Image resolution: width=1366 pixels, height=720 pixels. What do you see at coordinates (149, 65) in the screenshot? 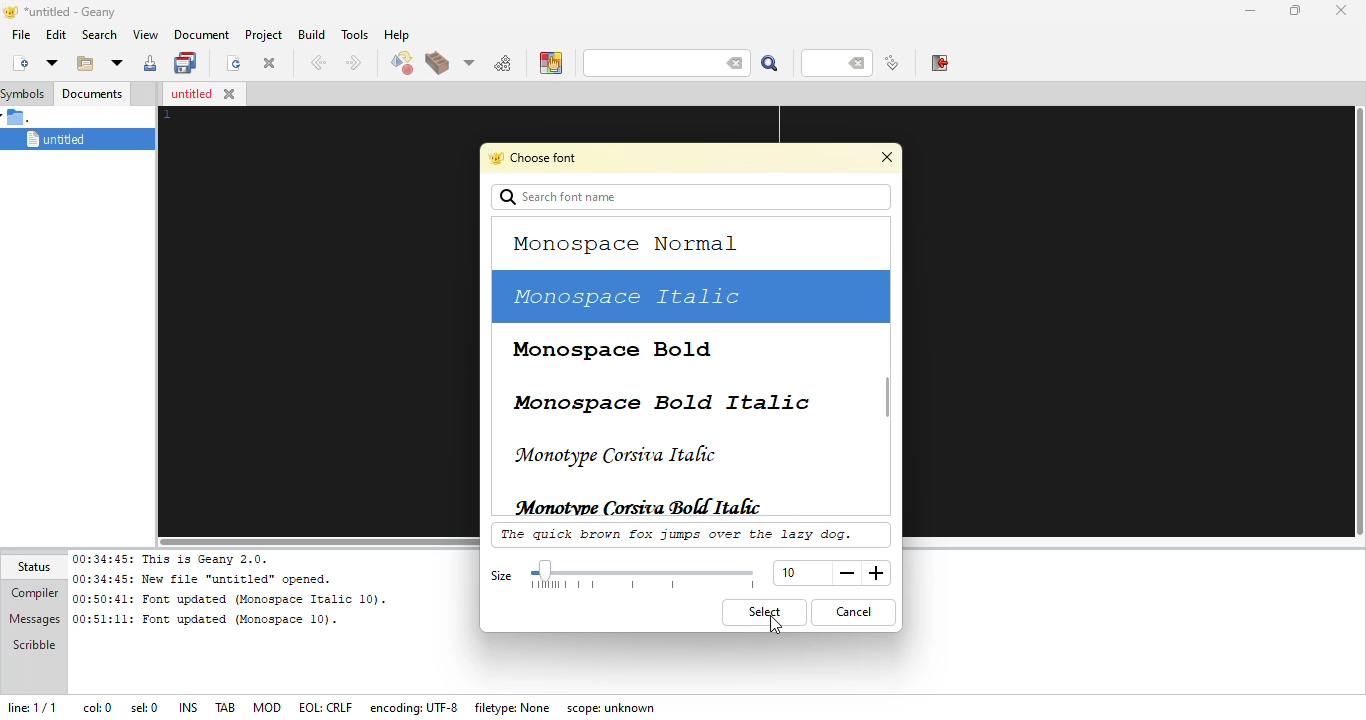
I see `save` at bounding box center [149, 65].